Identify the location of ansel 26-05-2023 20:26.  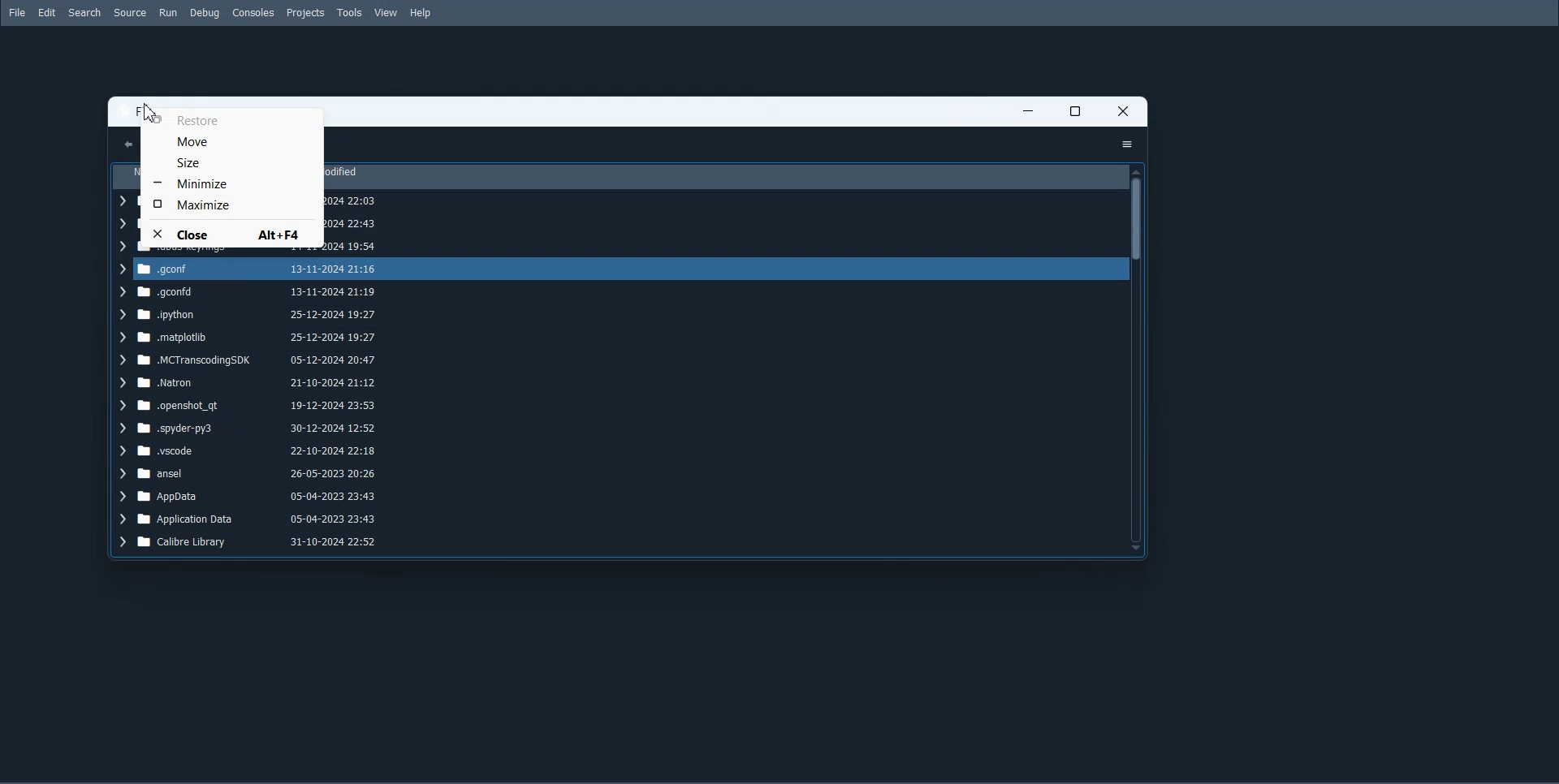
(248, 473).